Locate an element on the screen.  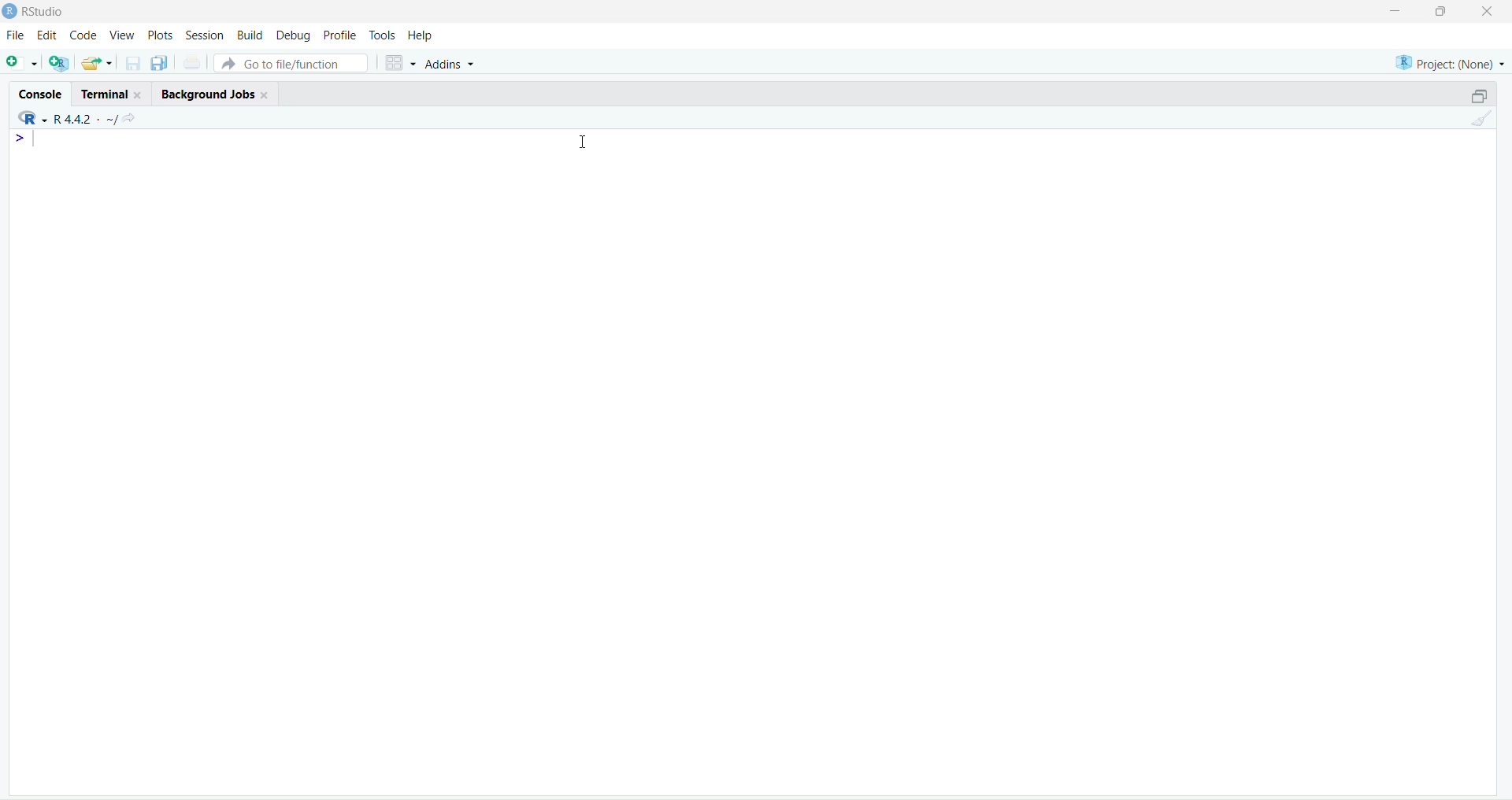
> is located at coordinates (22, 139).